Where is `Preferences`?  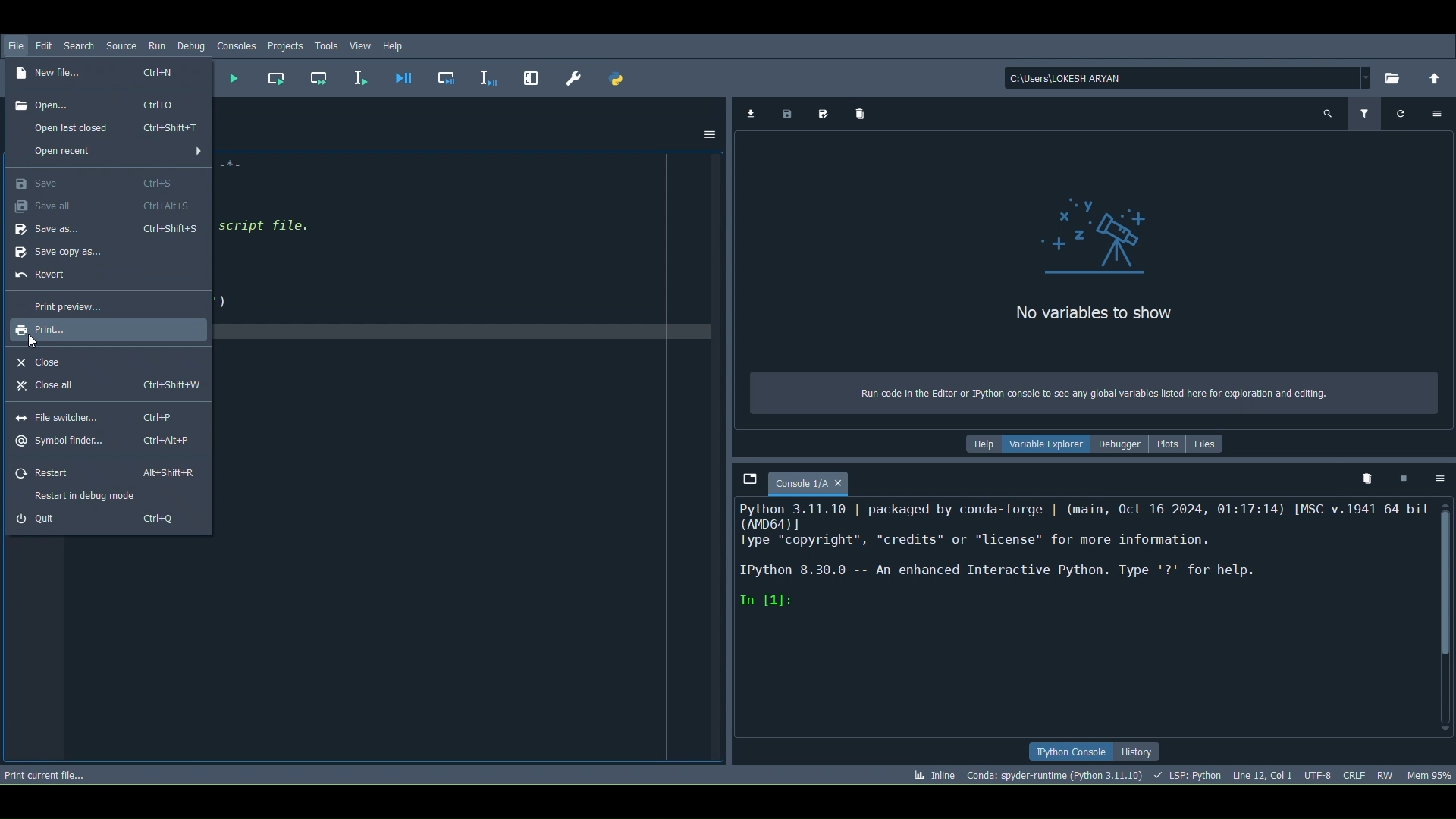
Preferences is located at coordinates (577, 78).